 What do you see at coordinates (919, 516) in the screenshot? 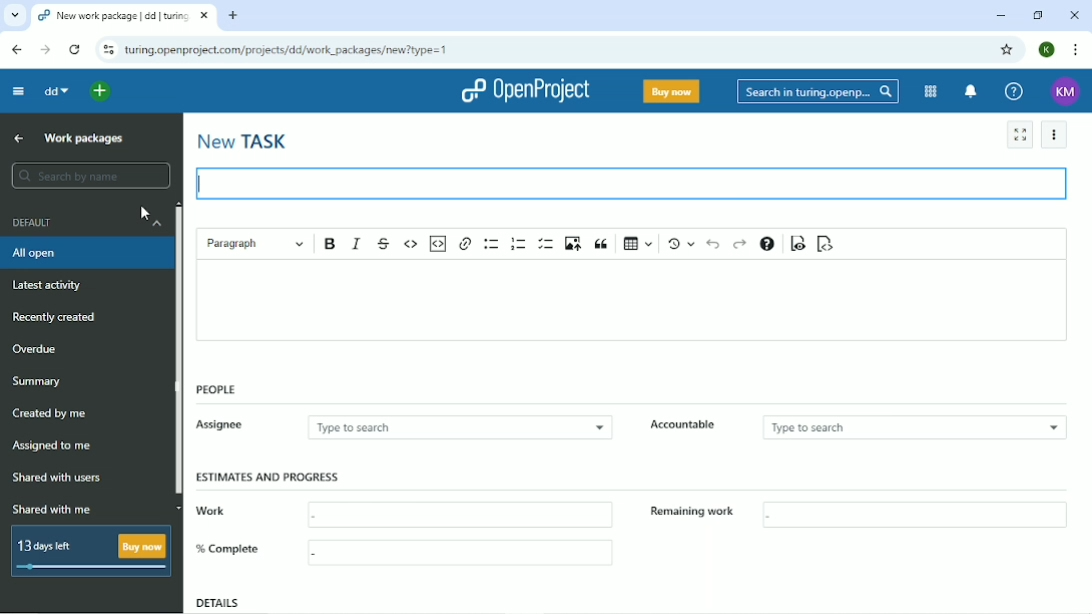
I see `box` at bounding box center [919, 516].